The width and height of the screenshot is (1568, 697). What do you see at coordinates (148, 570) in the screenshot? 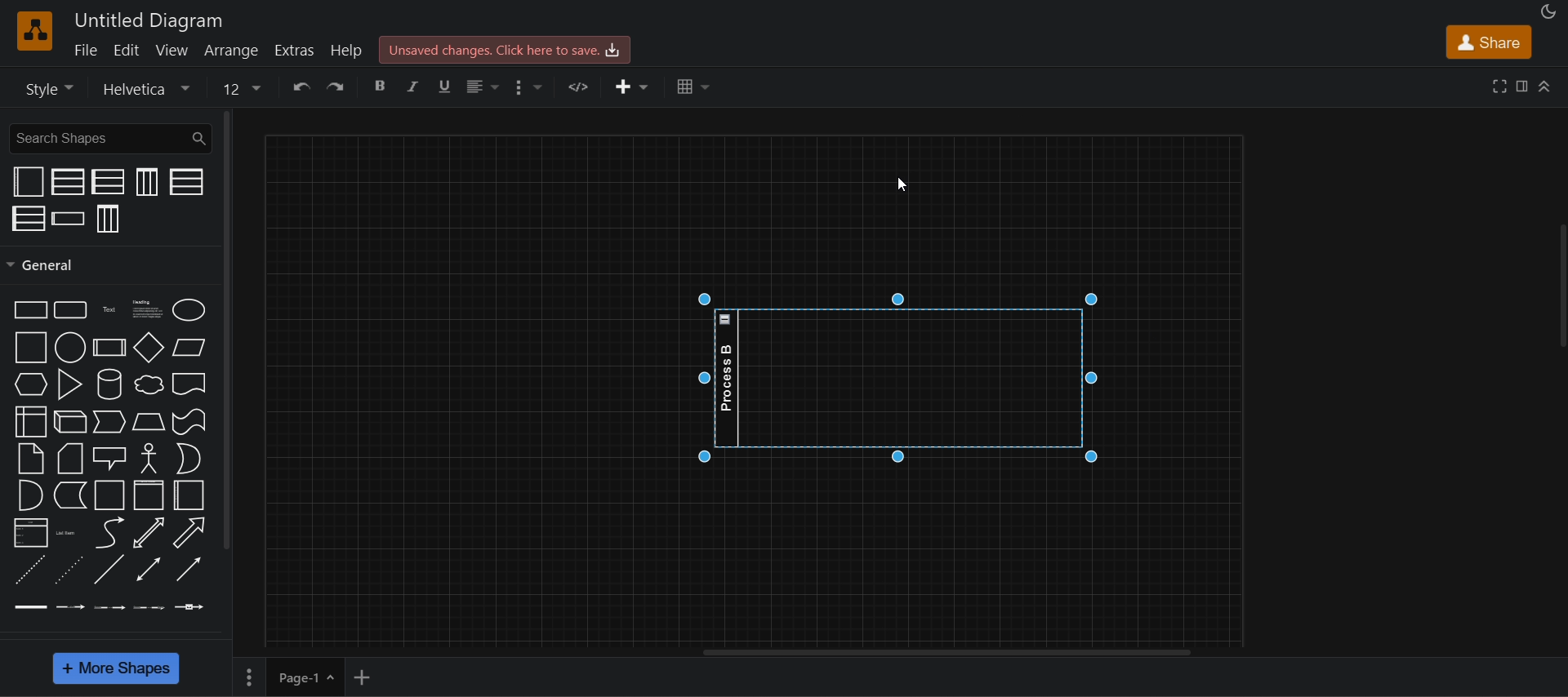
I see `bidirectional connector` at bounding box center [148, 570].